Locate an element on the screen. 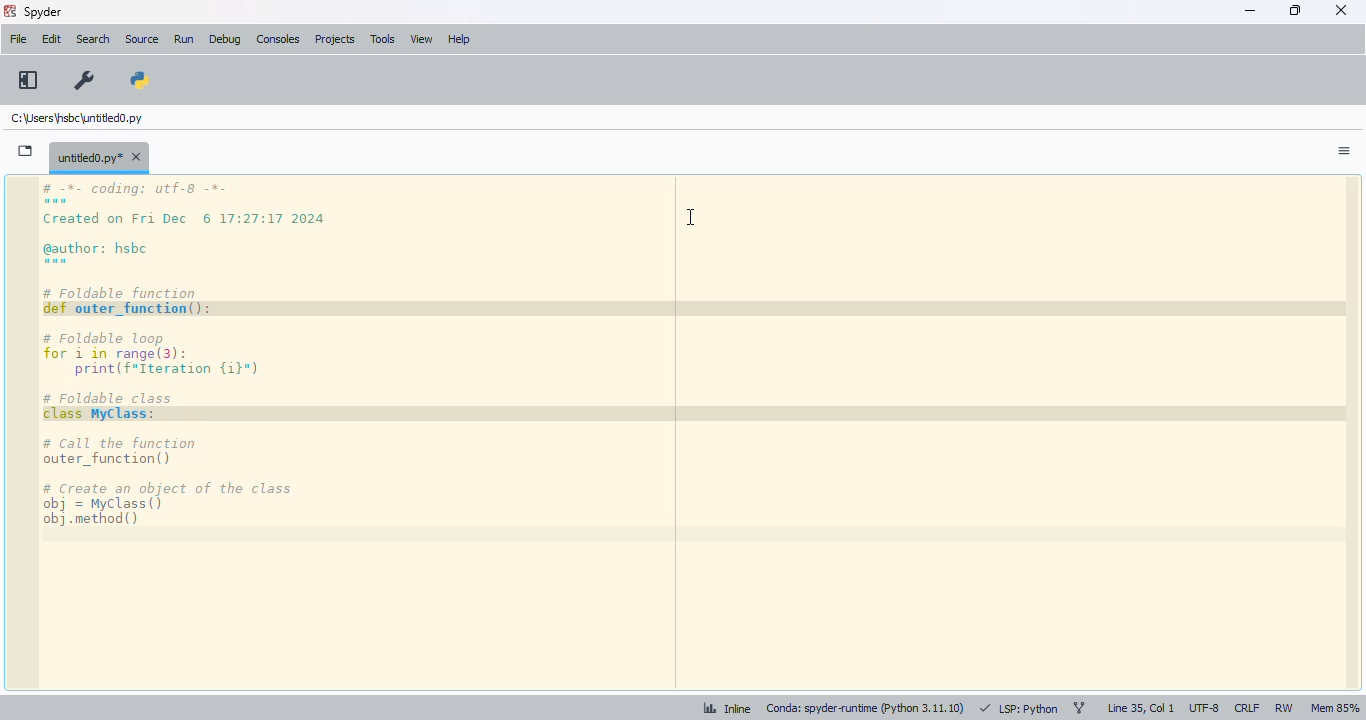  source is located at coordinates (141, 39).